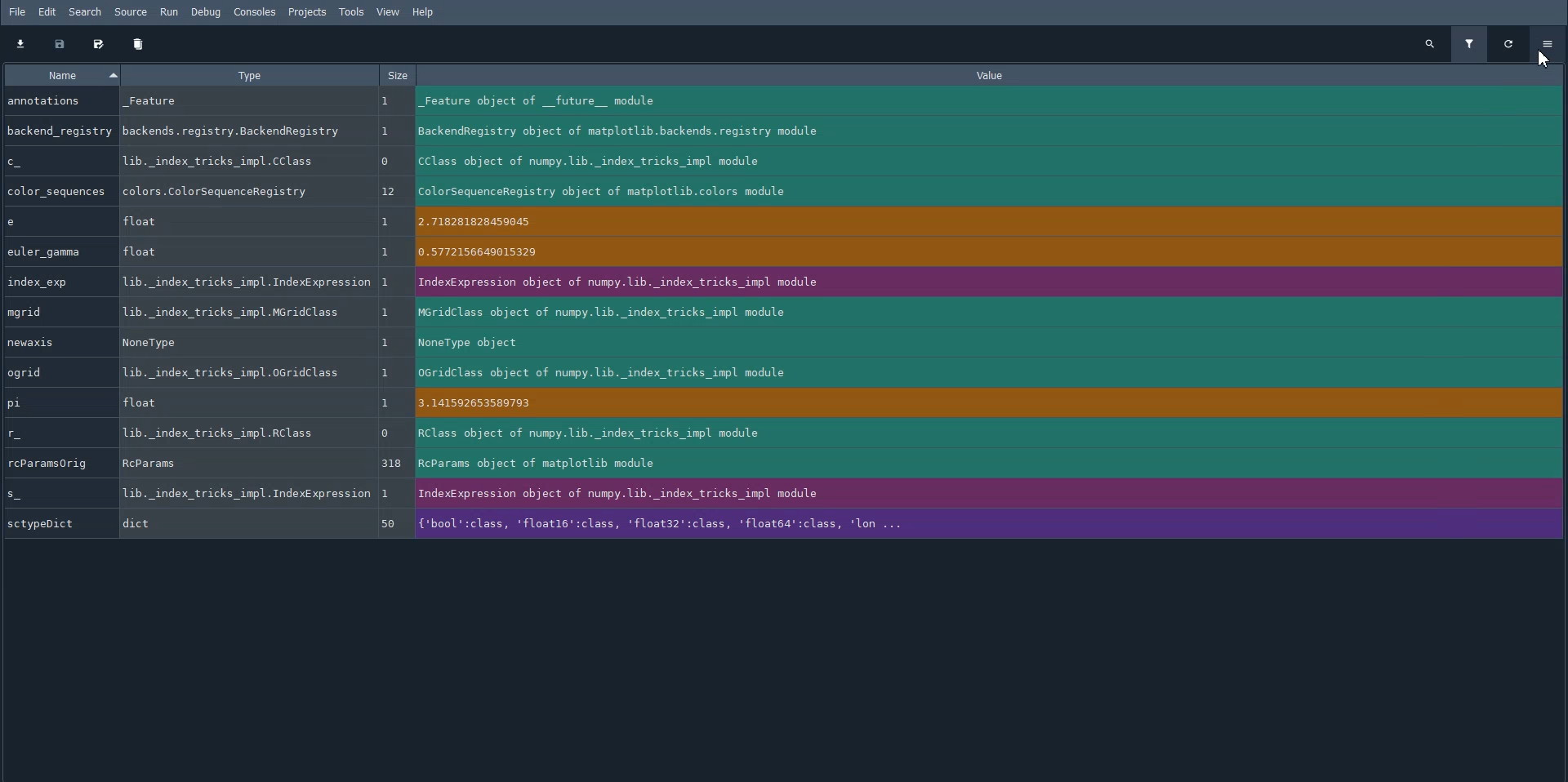 The width and height of the screenshot is (1568, 782). Describe the element at coordinates (237, 130) in the screenshot. I see `type value` at that location.